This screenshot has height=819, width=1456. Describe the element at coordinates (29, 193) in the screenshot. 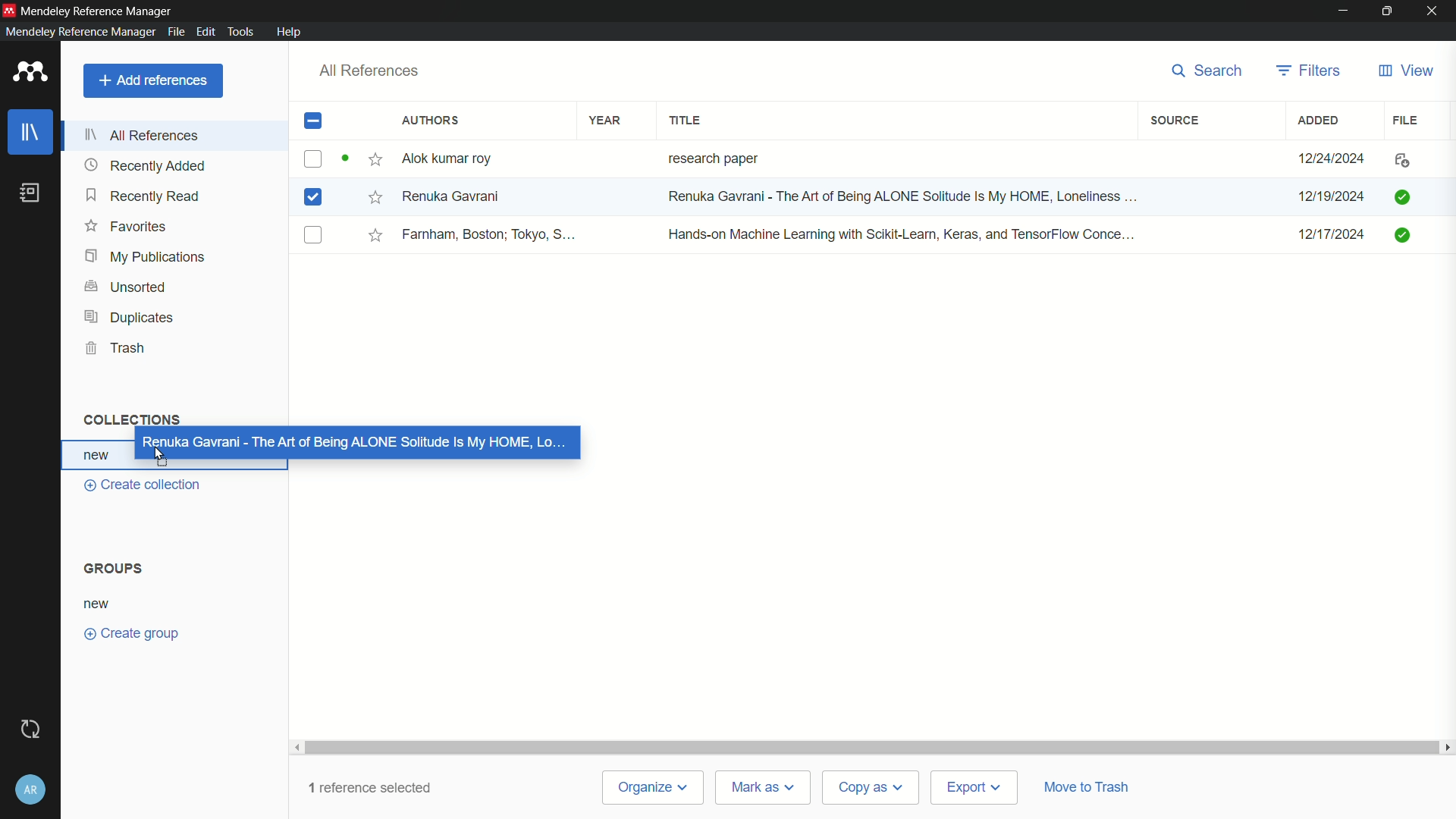

I see `book` at that location.